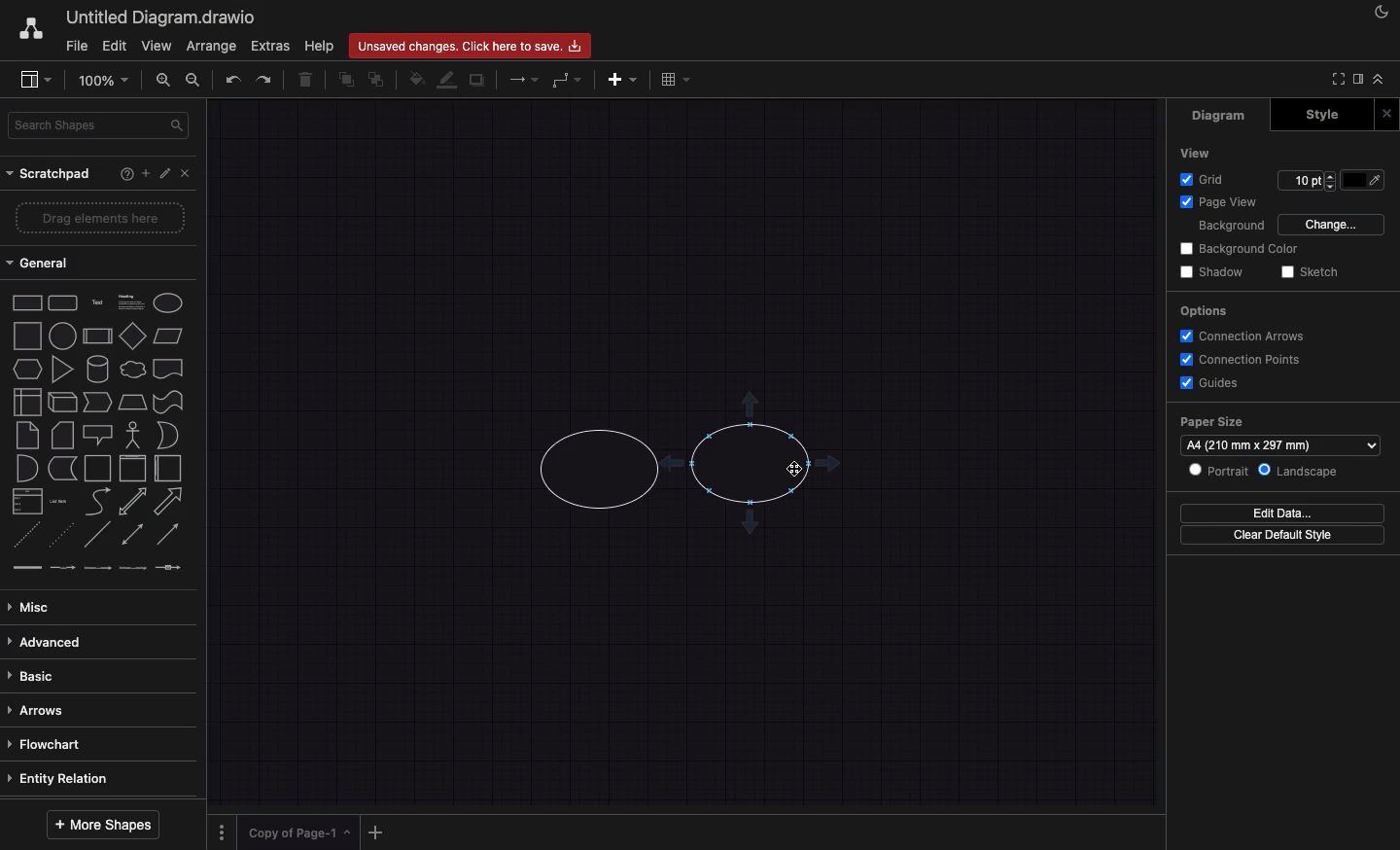  What do you see at coordinates (40, 262) in the screenshot?
I see `general` at bounding box center [40, 262].